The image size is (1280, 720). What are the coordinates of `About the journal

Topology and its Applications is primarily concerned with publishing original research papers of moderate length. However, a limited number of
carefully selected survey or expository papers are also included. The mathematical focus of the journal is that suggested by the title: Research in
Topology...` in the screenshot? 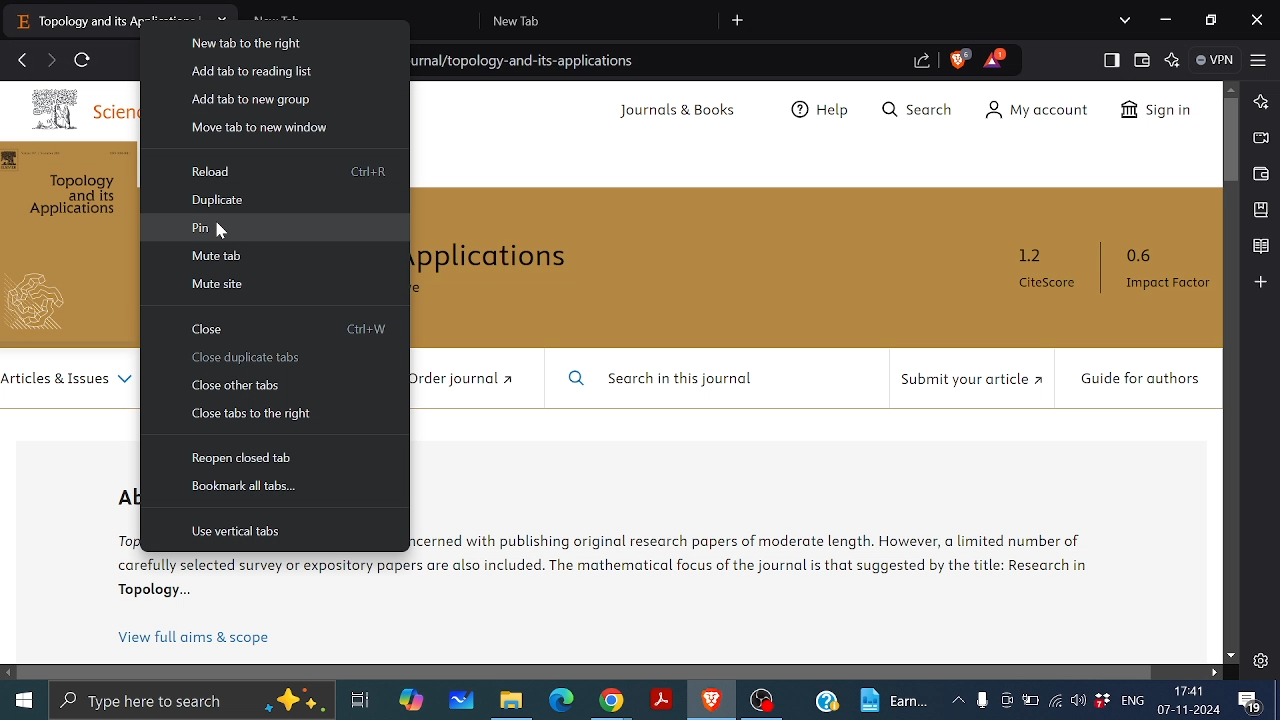 It's located at (778, 557).